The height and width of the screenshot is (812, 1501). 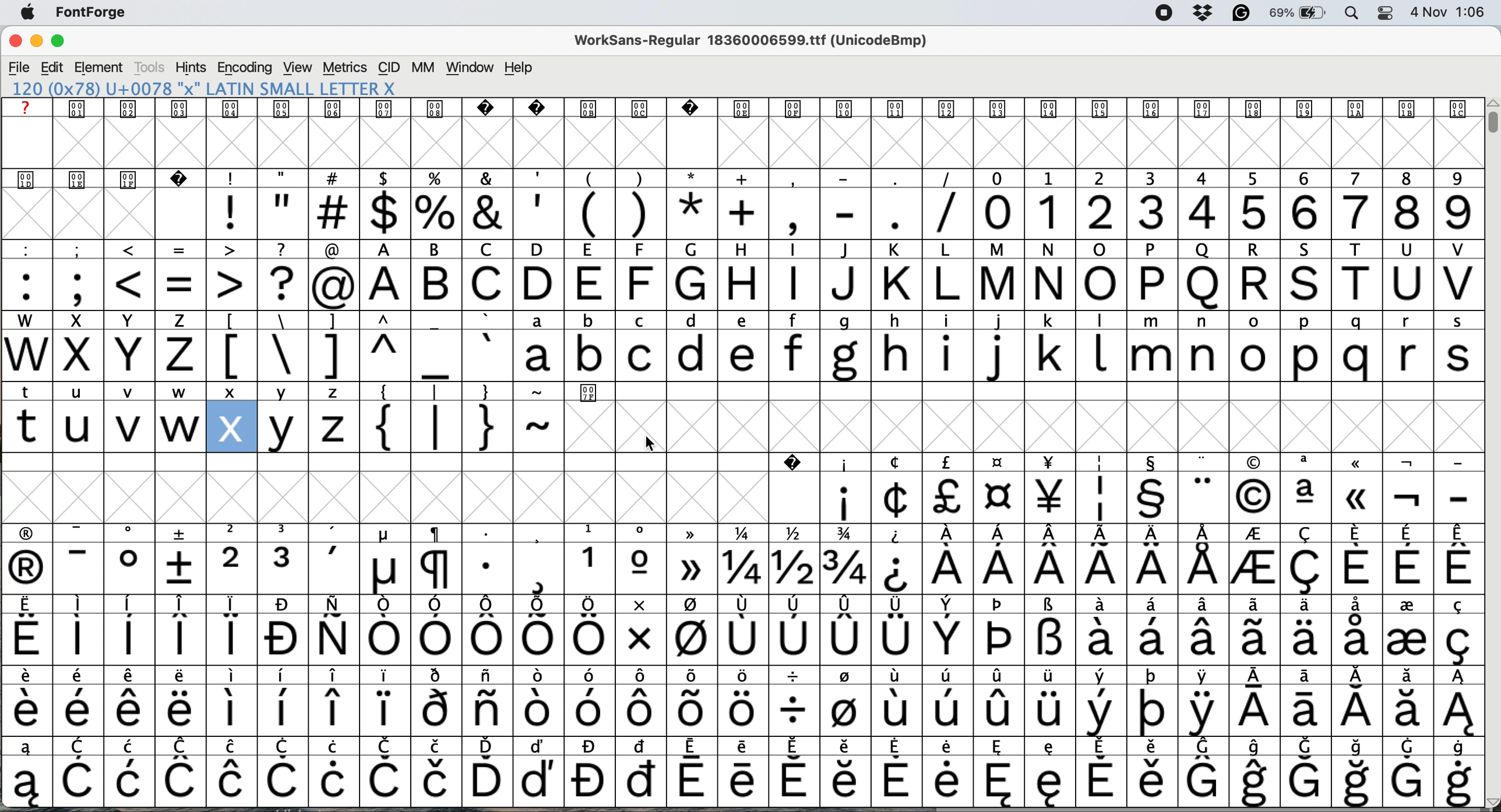 I want to click on special characters, so click(x=355, y=355).